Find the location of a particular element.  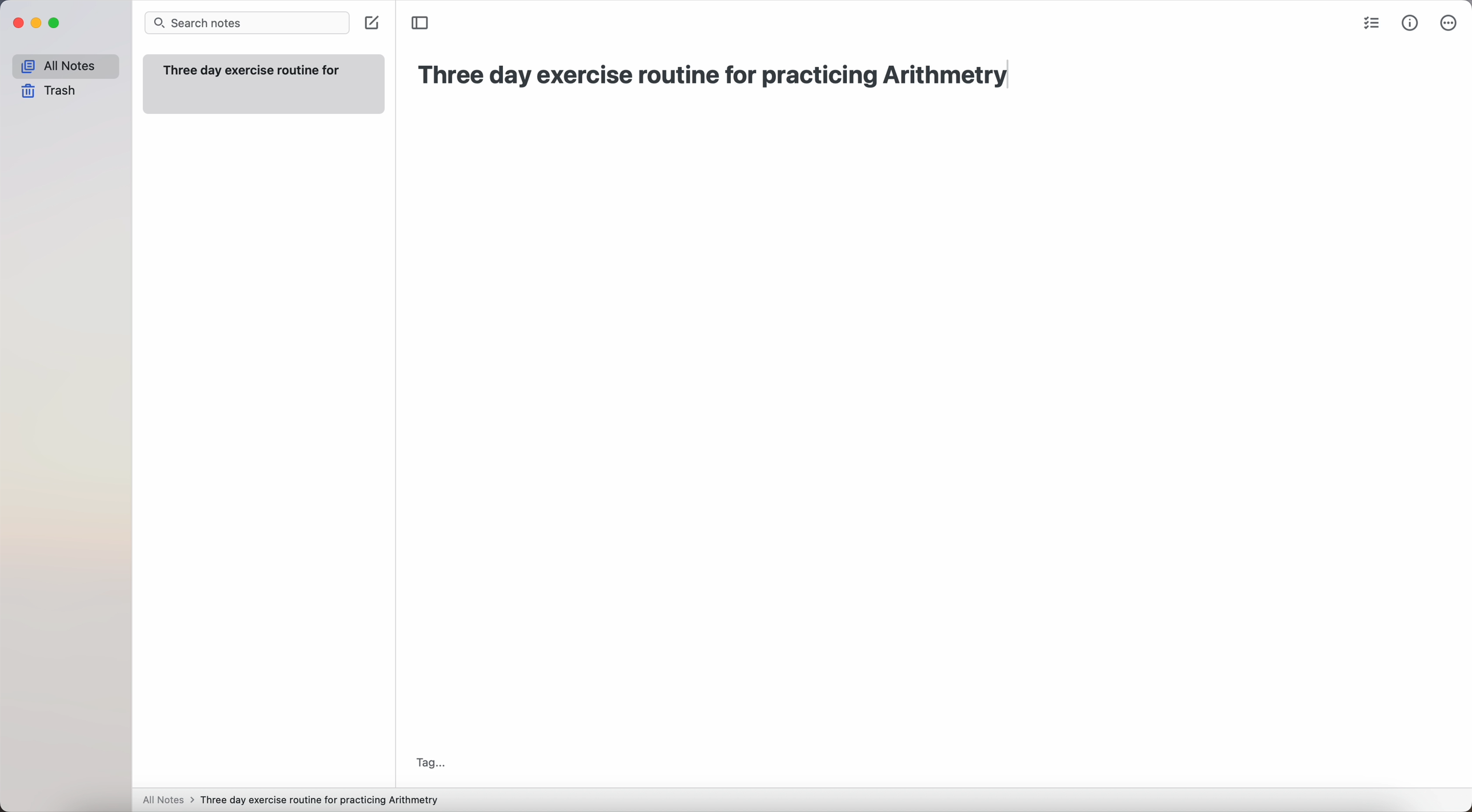

trash is located at coordinates (53, 90).